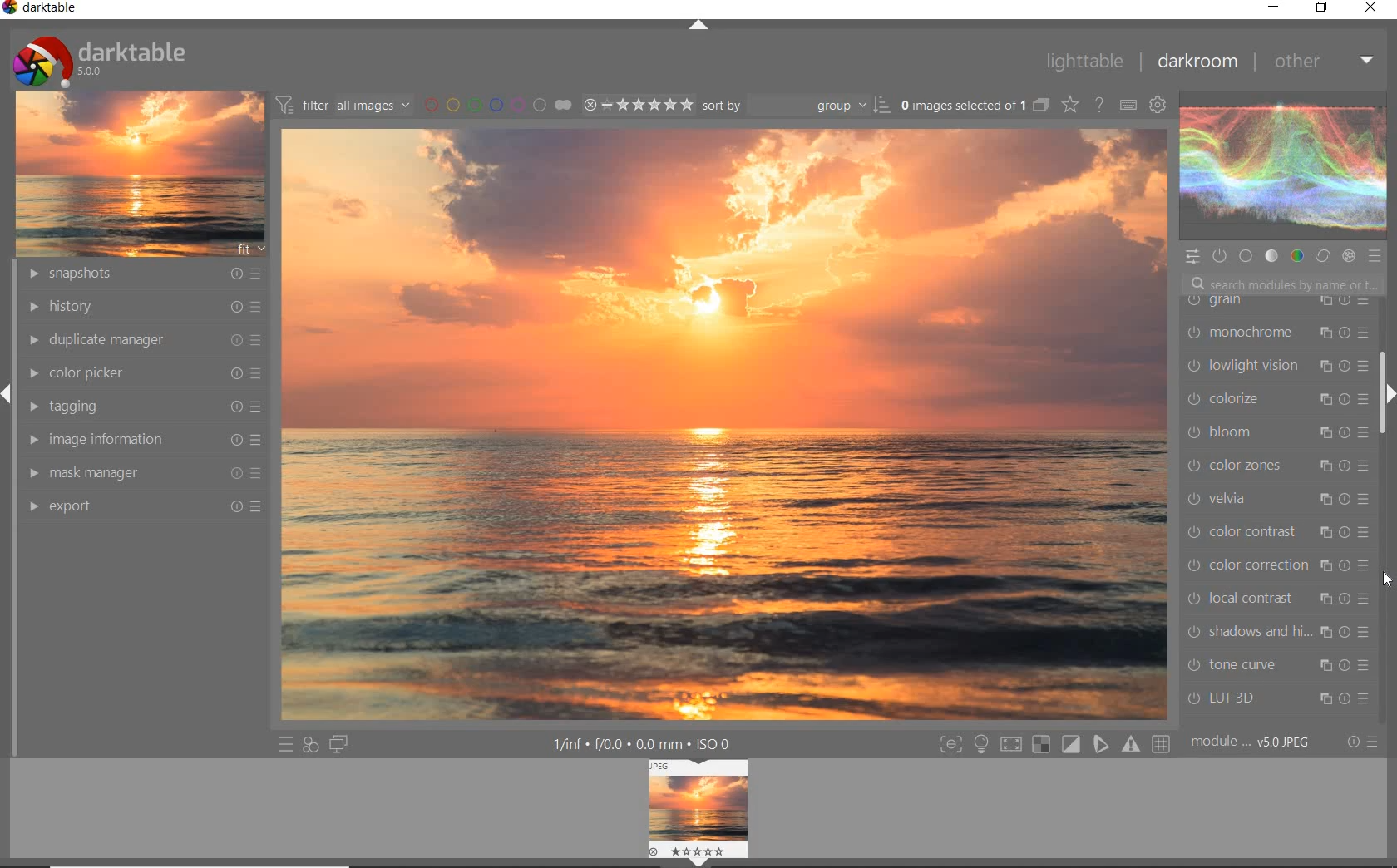 This screenshot has width=1397, height=868. I want to click on close, so click(1374, 9).